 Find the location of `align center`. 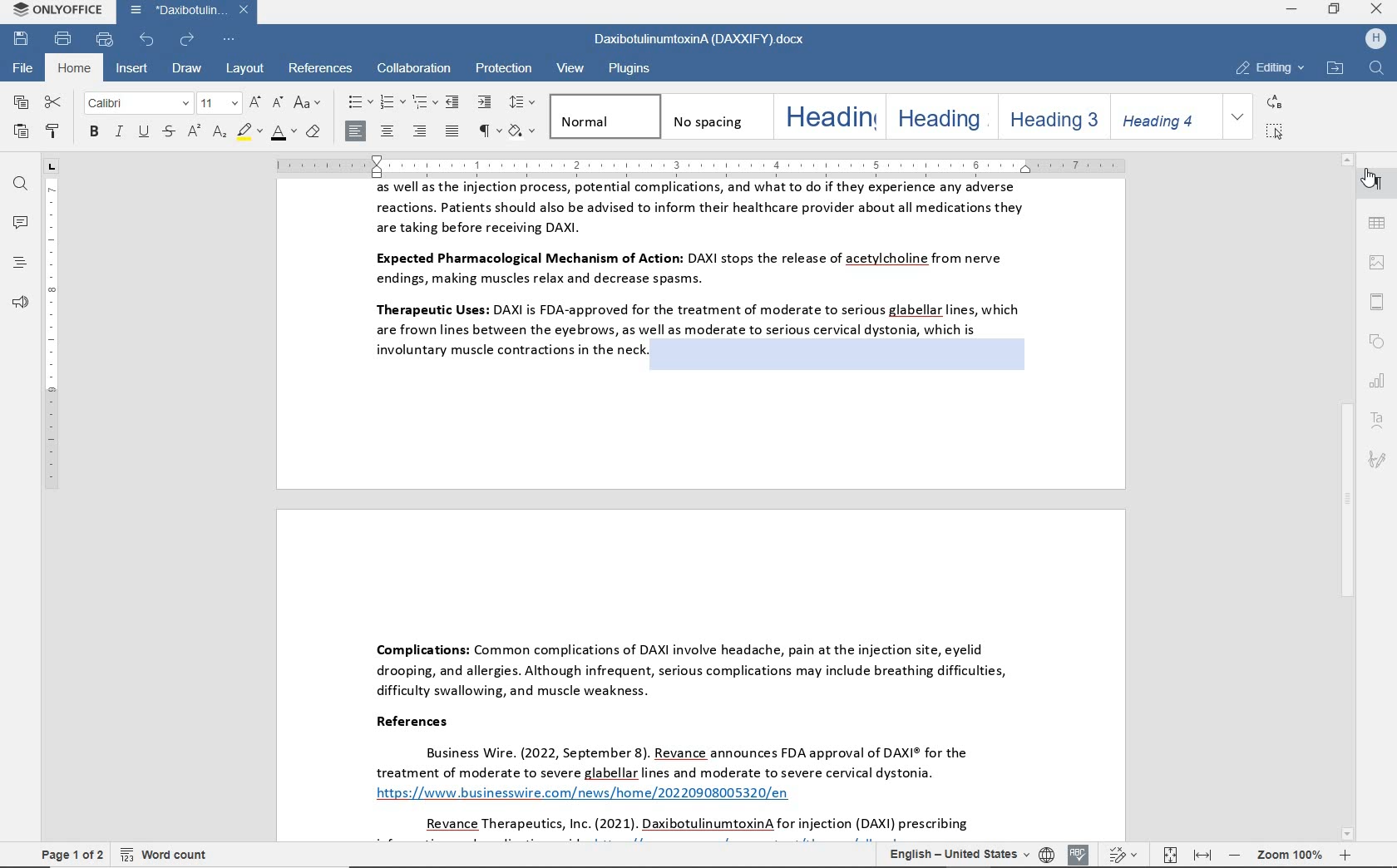

align center is located at coordinates (388, 131).